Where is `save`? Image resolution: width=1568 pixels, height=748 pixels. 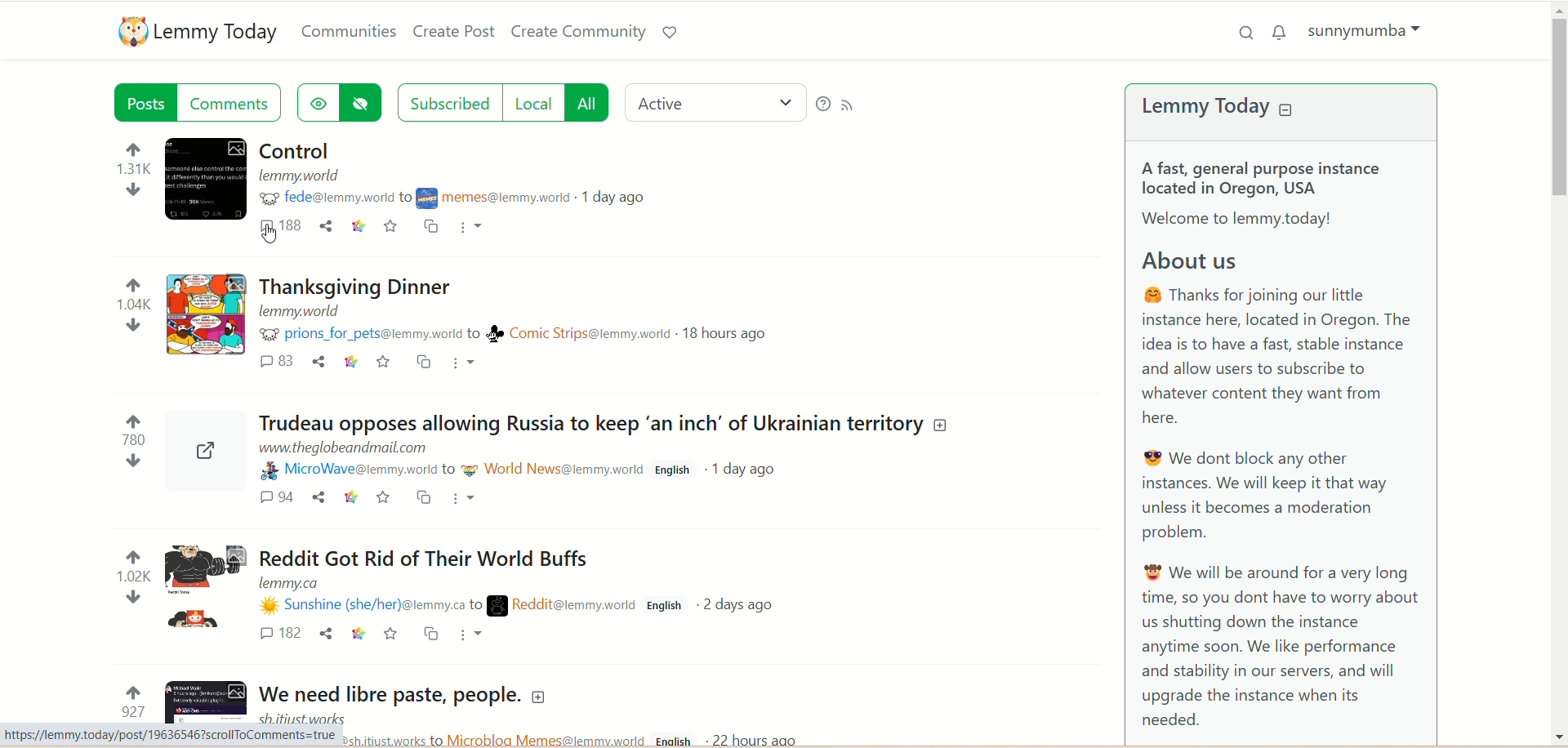
save is located at coordinates (385, 497).